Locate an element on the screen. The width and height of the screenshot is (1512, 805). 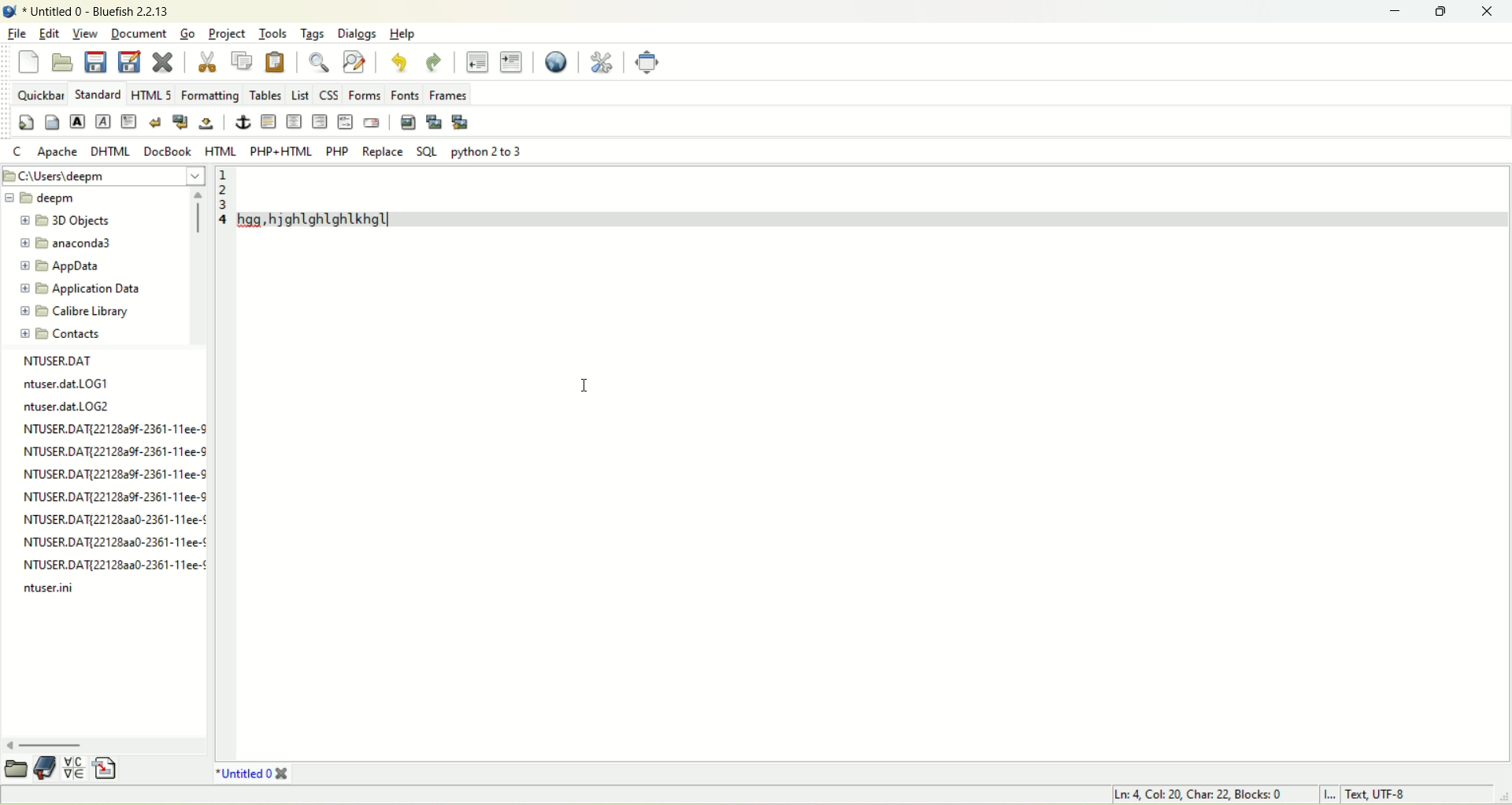
Replace is located at coordinates (381, 151).